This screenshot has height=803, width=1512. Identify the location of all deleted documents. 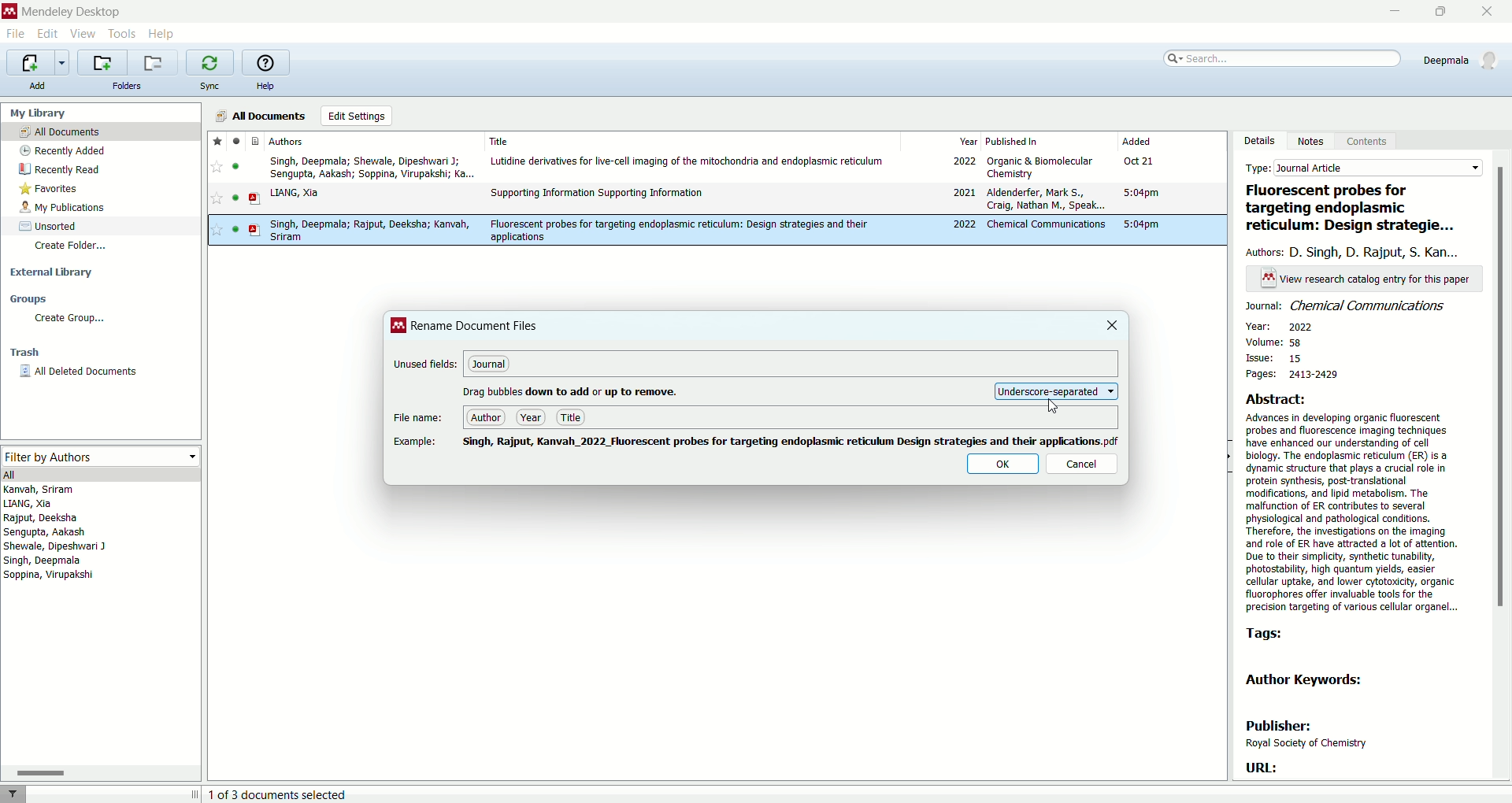
(79, 371).